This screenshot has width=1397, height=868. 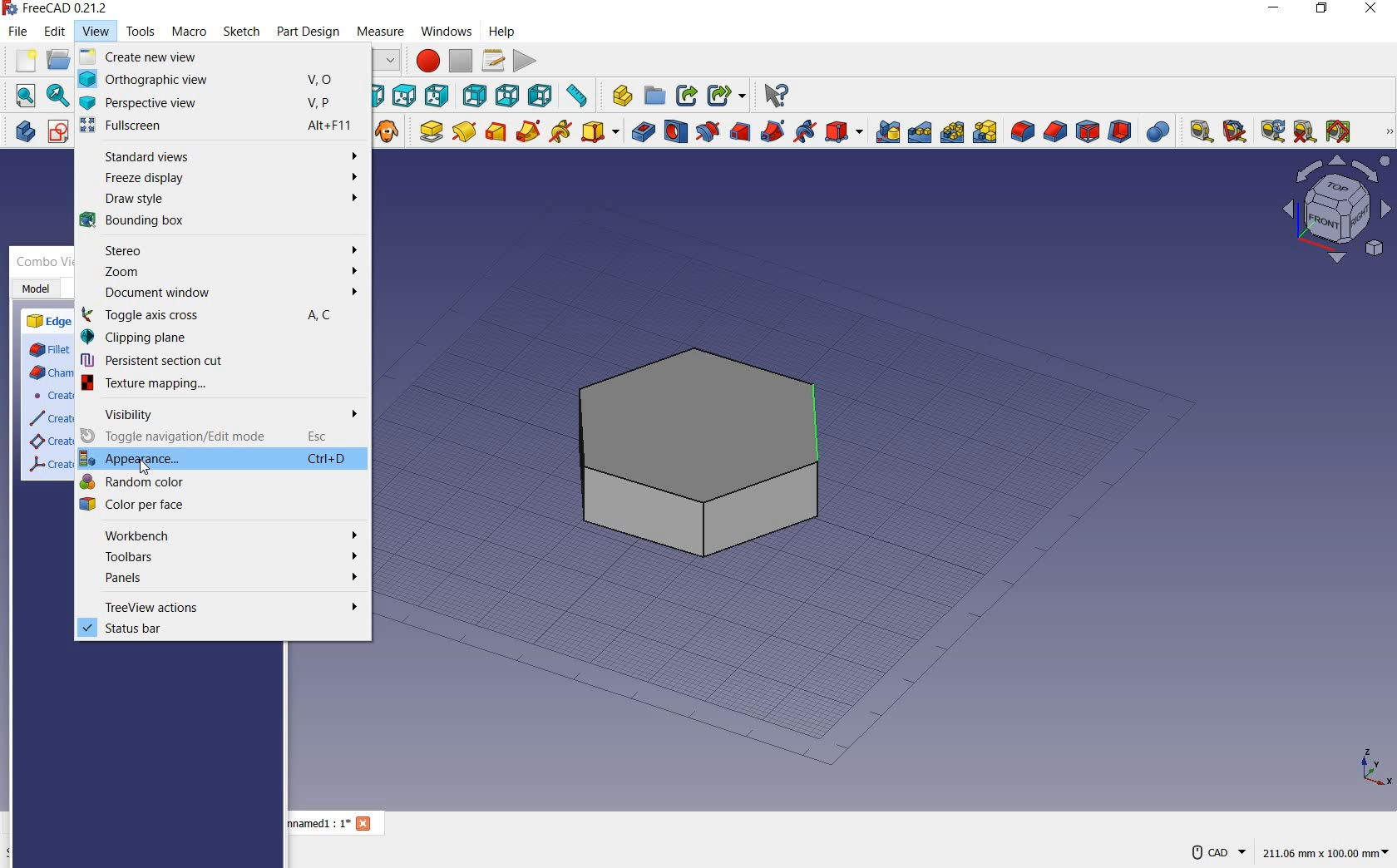 What do you see at coordinates (526, 62) in the screenshot?
I see `execute macro` at bounding box center [526, 62].